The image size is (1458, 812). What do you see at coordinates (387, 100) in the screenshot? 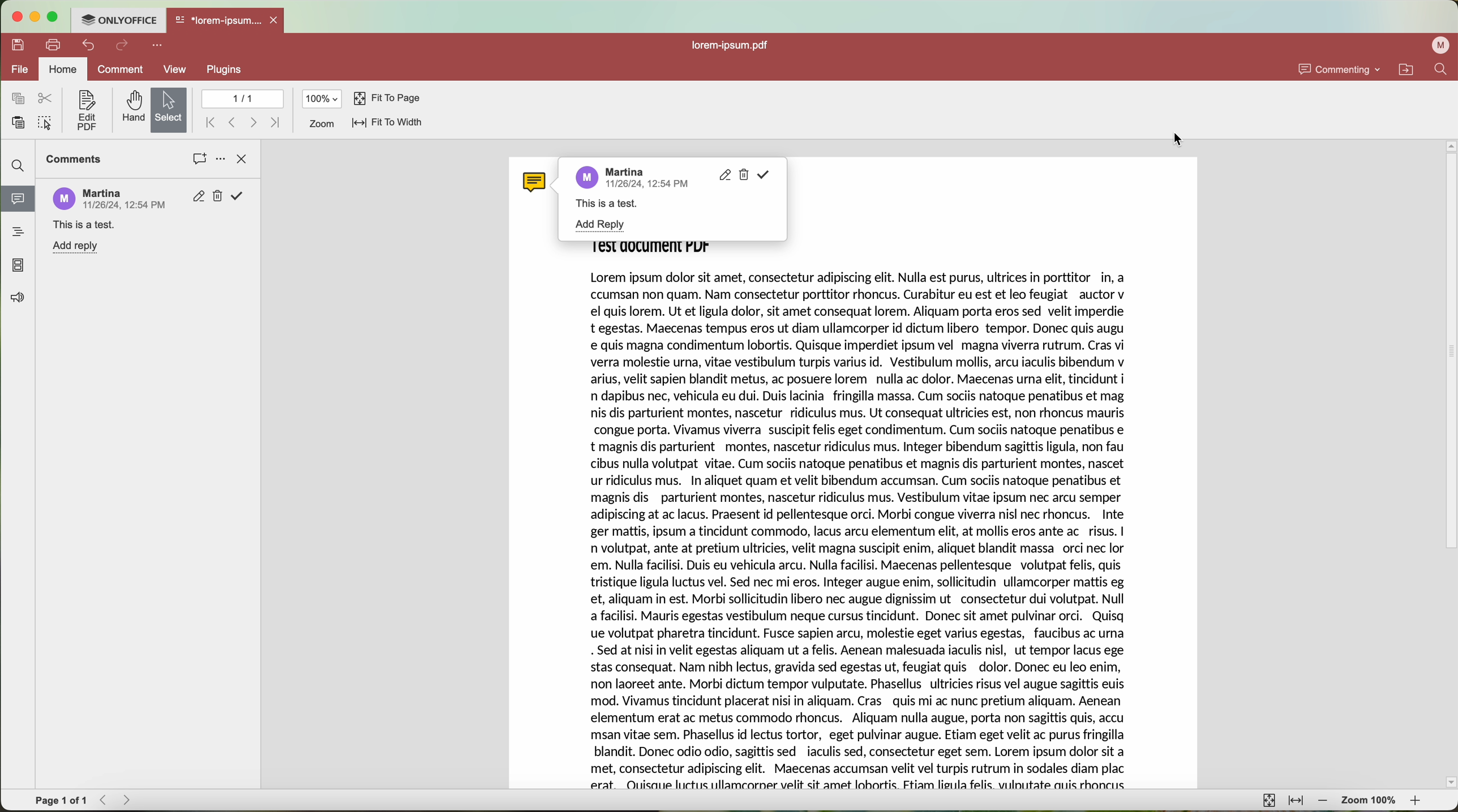
I see `fit to page` at bounding box center [387, 100].